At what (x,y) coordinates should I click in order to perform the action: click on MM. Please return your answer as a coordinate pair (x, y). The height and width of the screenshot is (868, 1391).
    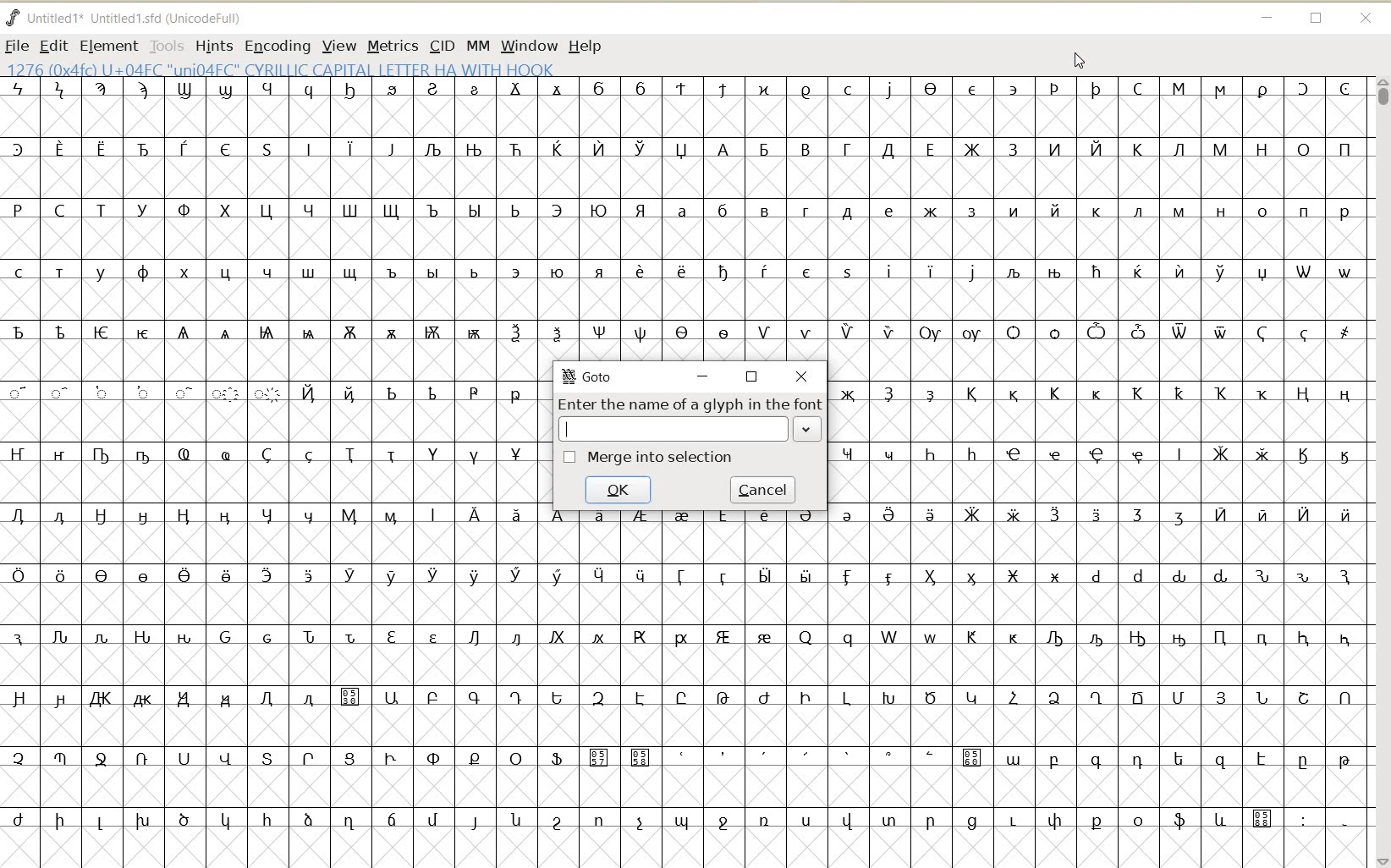
    Looking at the image, I should click on (477, 45).